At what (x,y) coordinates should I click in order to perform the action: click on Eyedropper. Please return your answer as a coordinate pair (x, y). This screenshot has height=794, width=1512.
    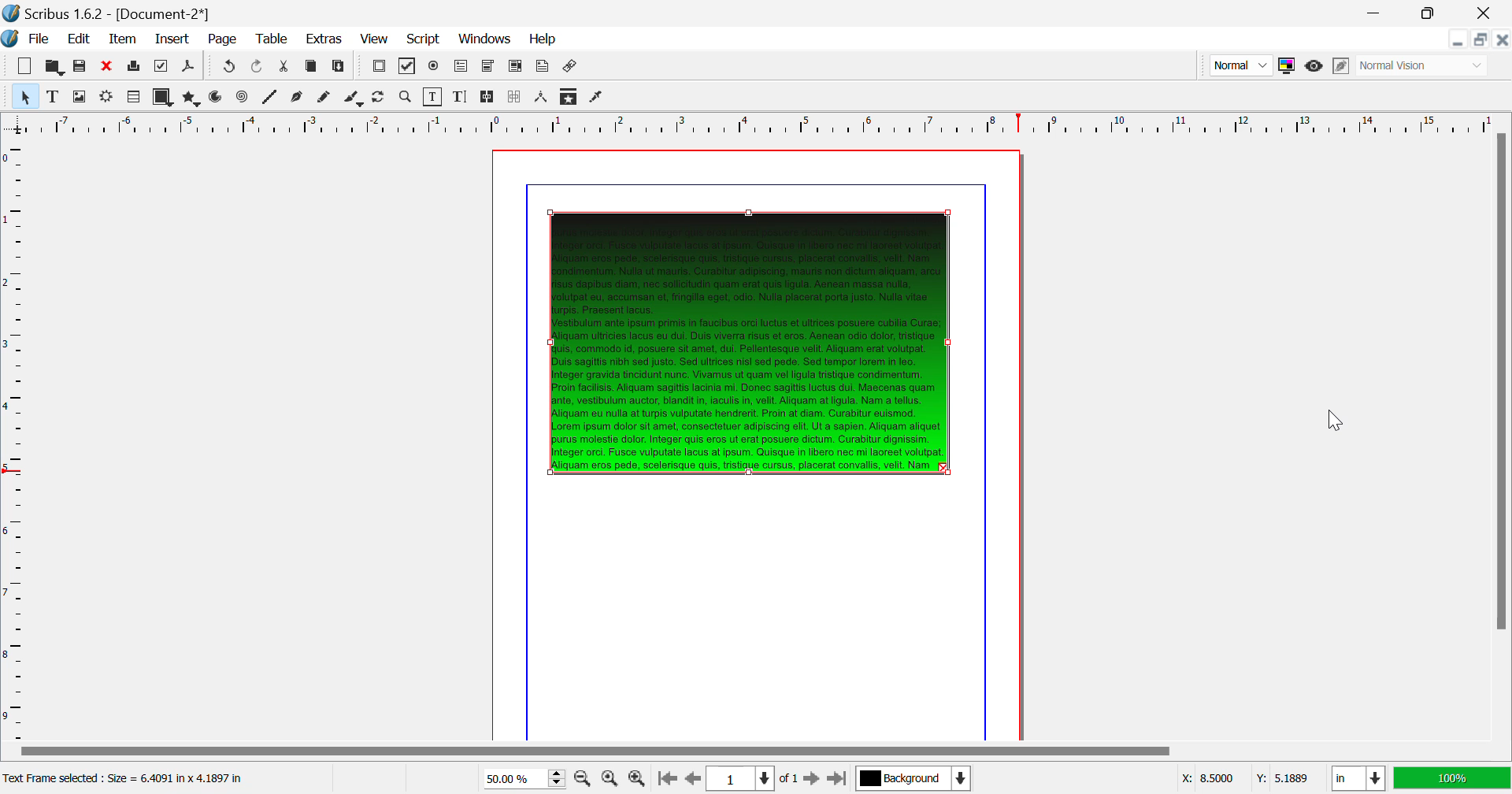
    Looking at the image, I should click on (597, 98).